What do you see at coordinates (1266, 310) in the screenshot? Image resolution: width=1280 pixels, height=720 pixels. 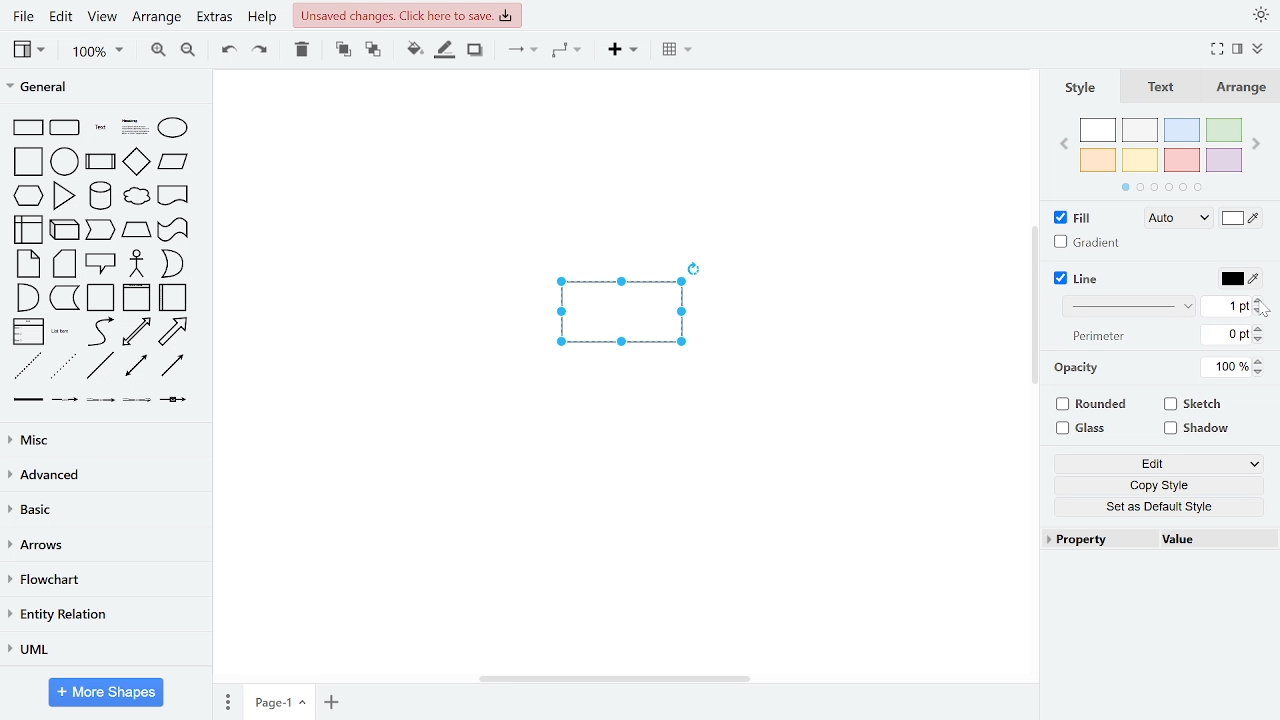 I see `cursor` at bounding box center [1266, 310].